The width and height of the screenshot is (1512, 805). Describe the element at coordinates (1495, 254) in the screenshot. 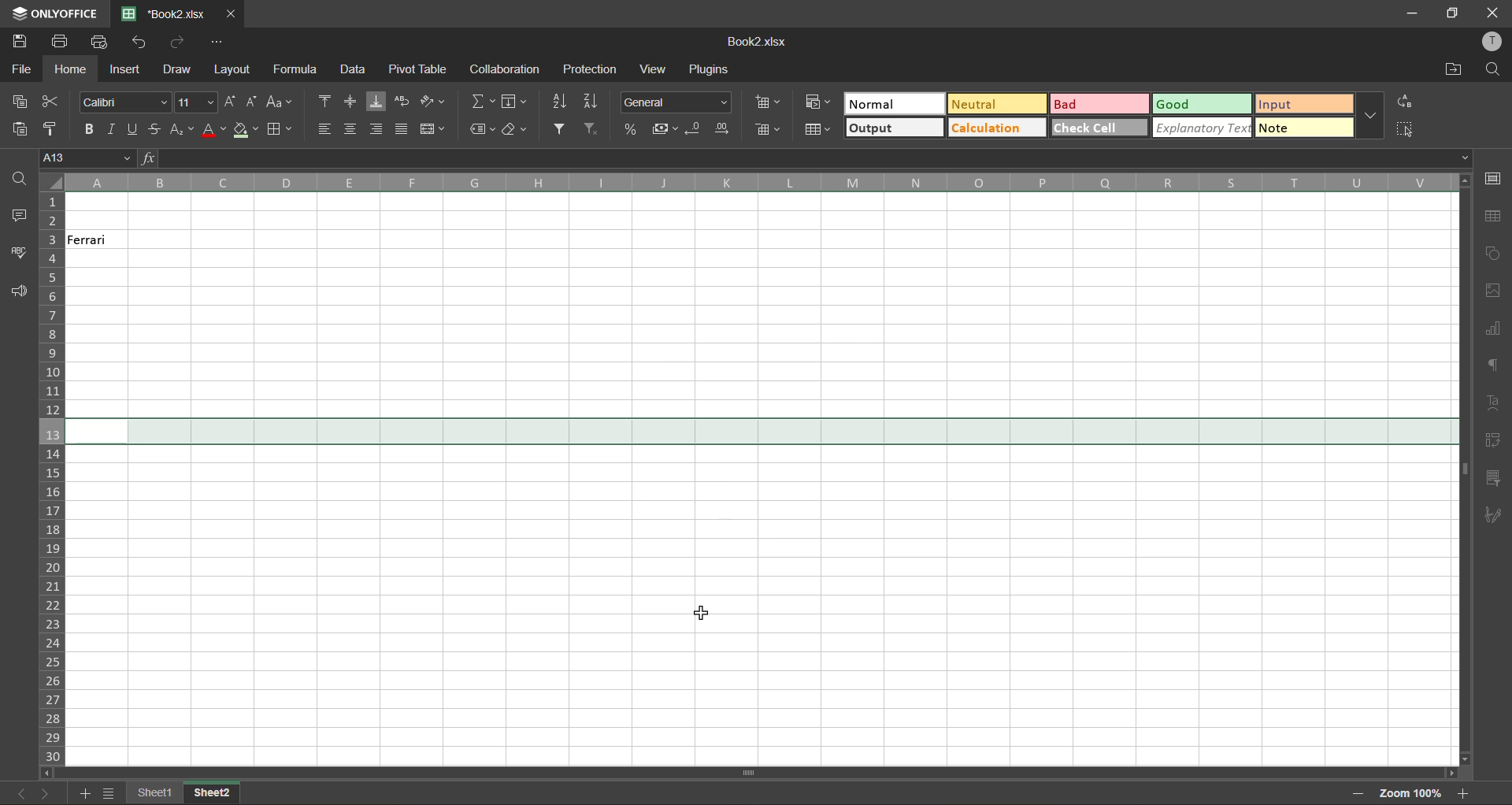

I see `shapes` at that location.